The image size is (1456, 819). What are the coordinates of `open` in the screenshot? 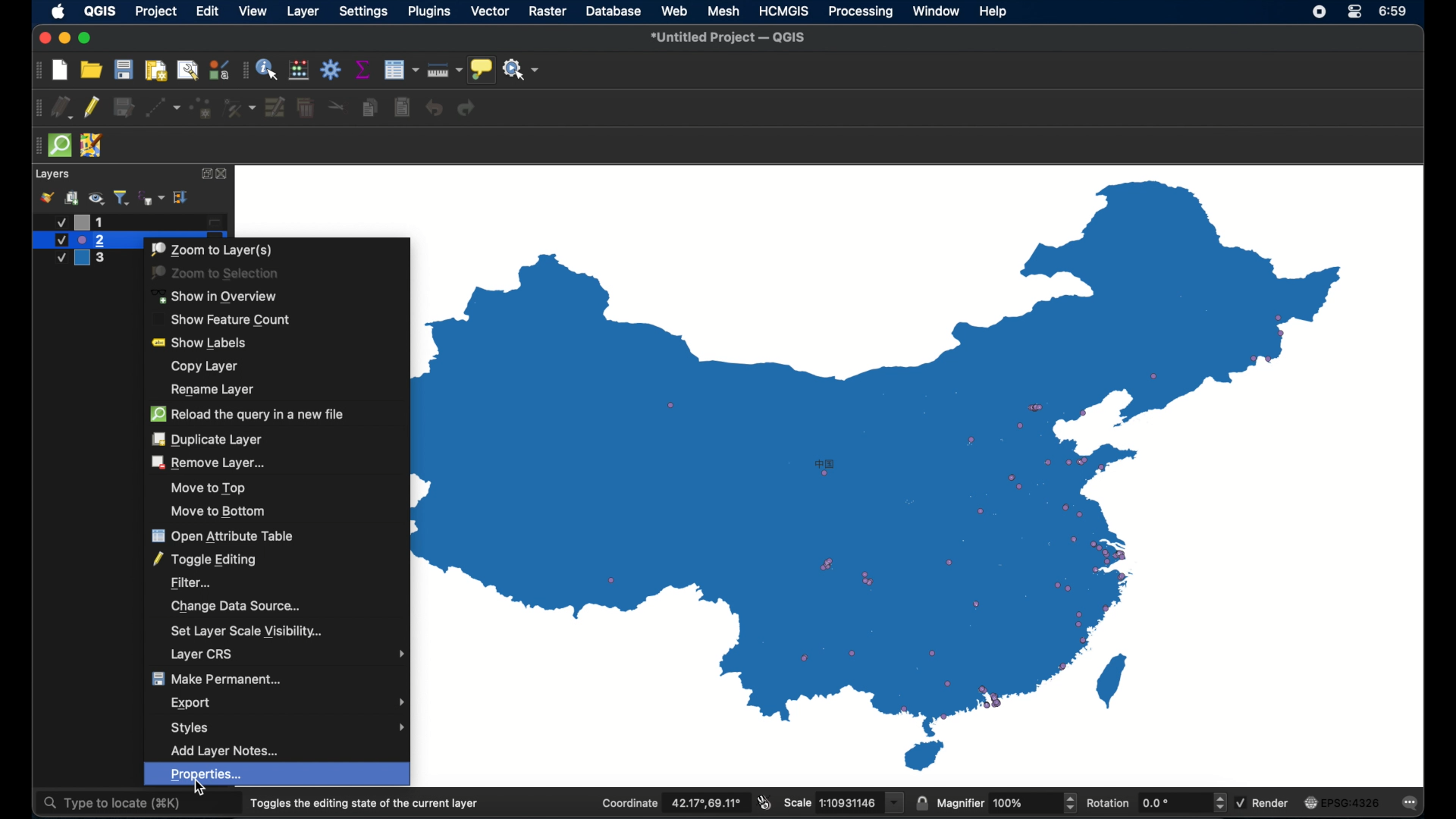 It's located at (91, 69).